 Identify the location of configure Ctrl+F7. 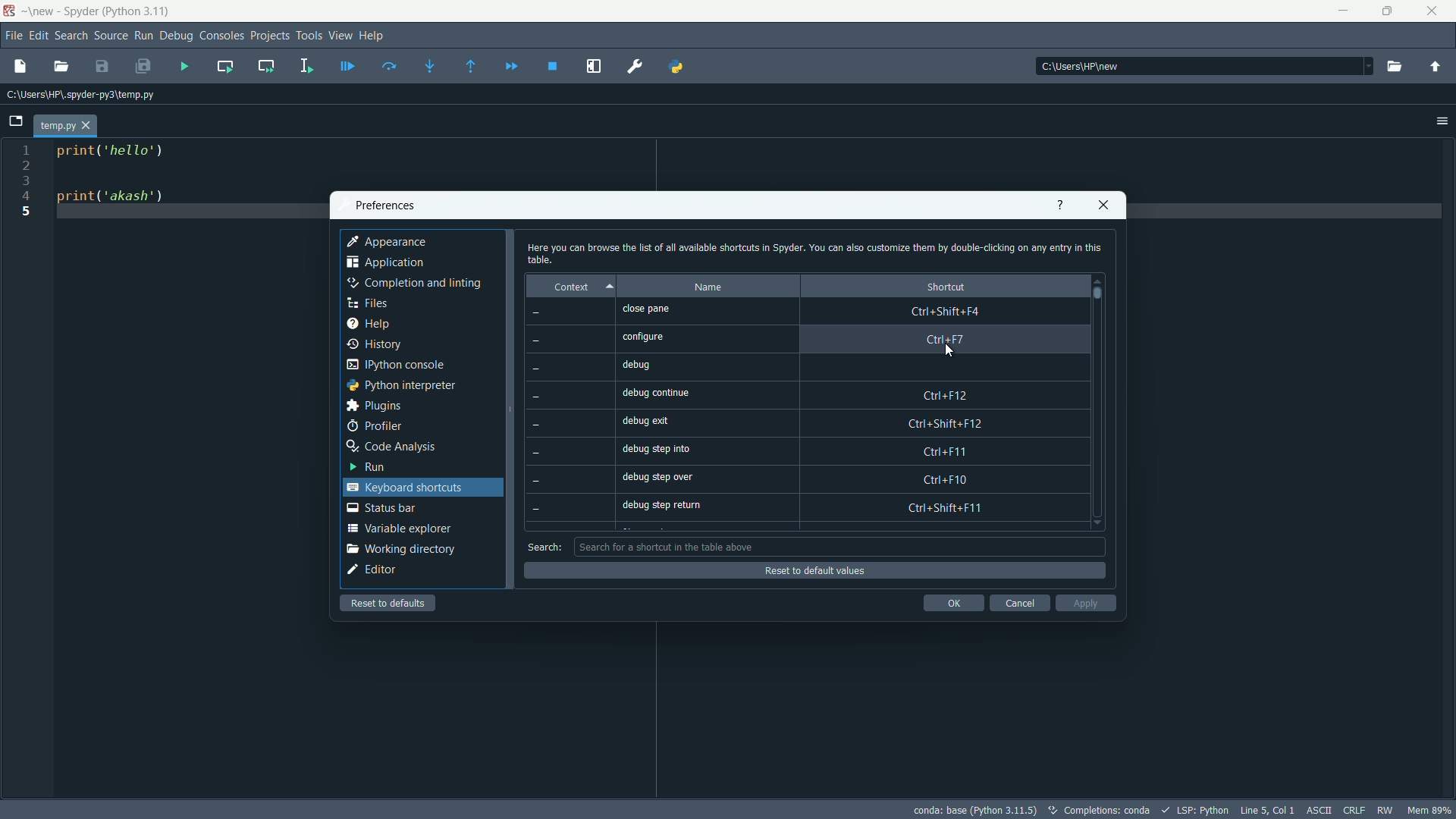
(820, 337).